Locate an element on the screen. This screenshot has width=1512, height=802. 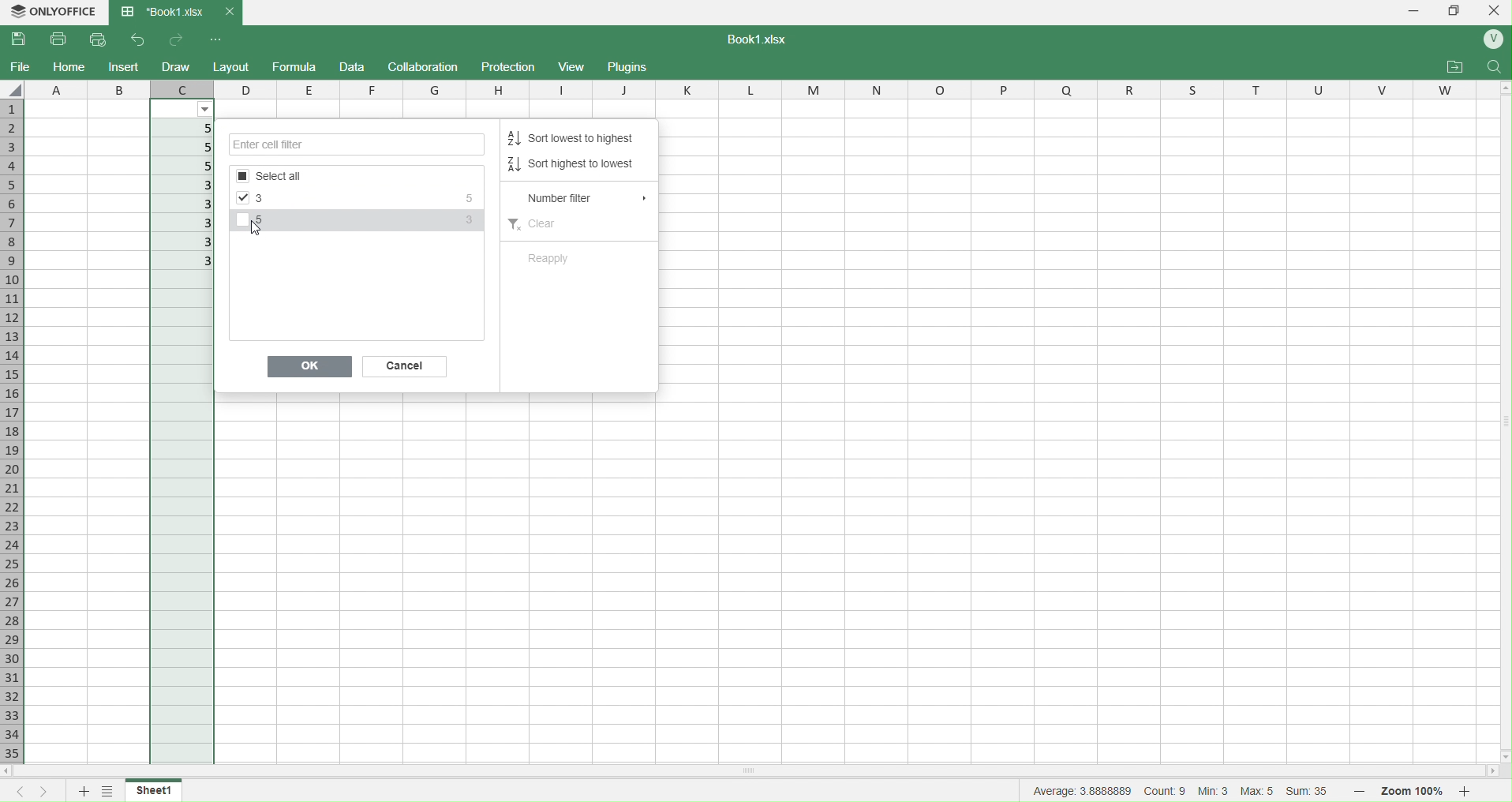
scroll left is located at coordinates (17, 772).